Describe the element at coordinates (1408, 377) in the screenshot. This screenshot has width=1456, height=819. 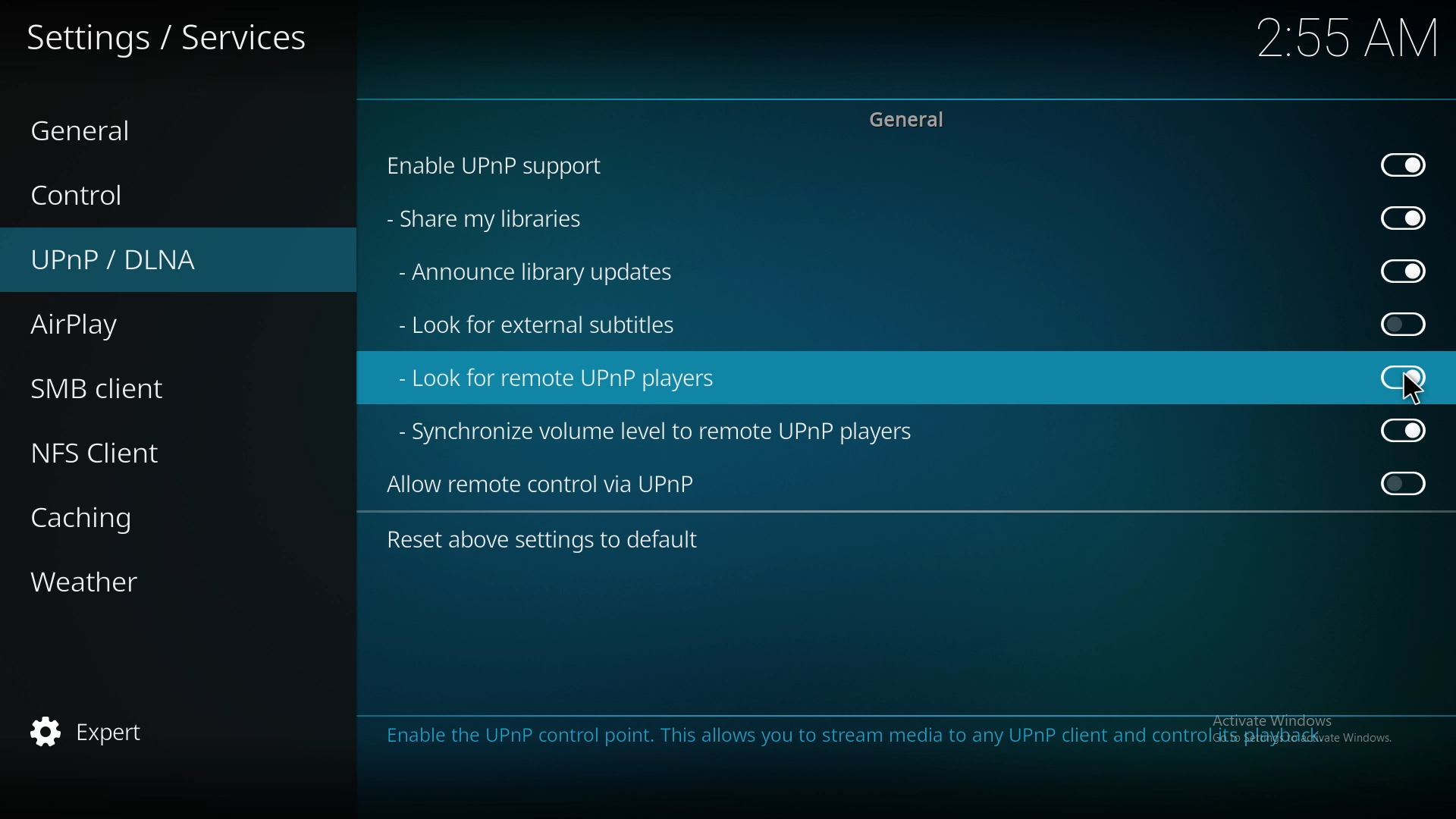
I see `off (Greyed out)` at that location.